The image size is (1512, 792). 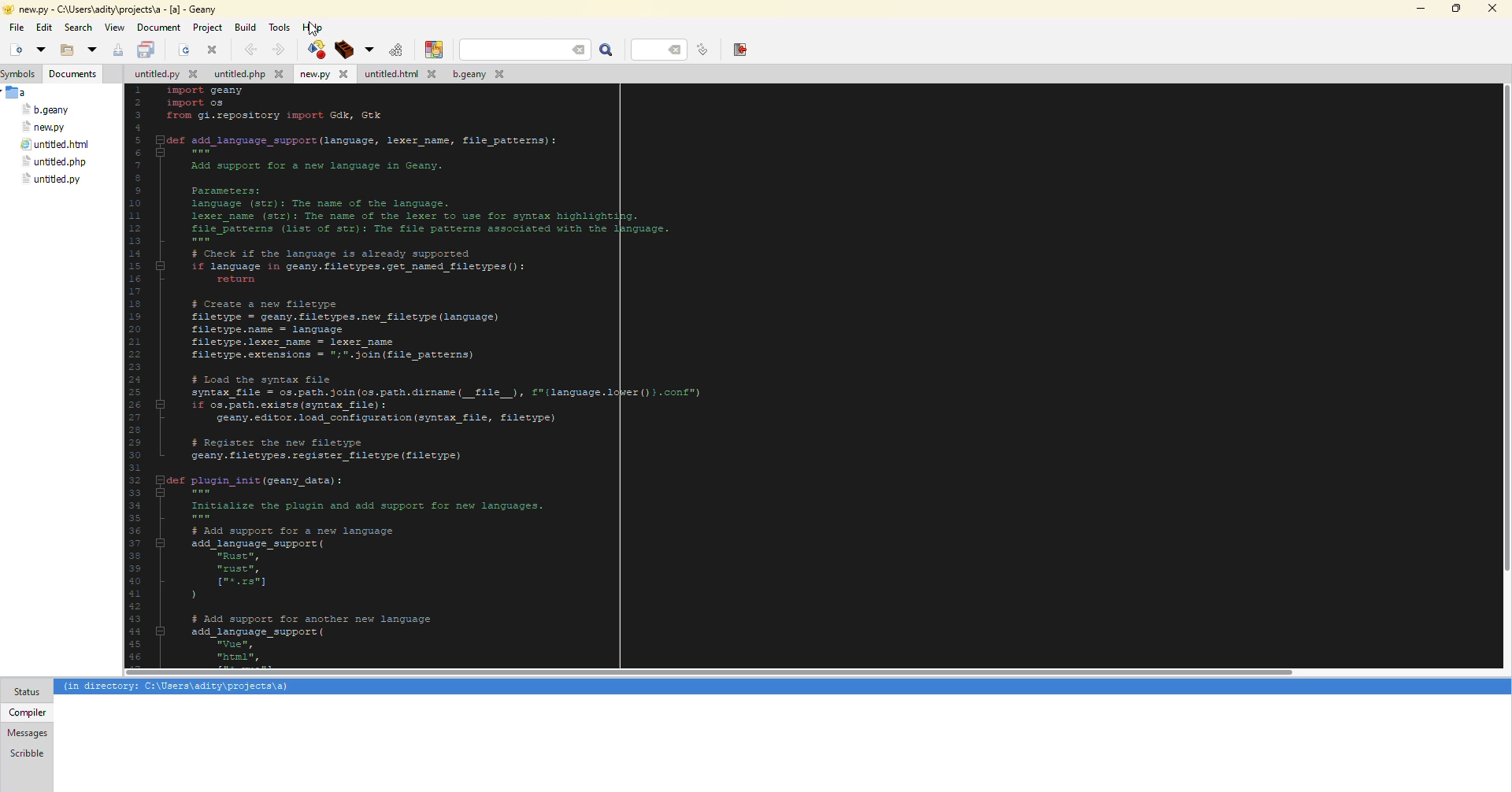 What do you see at coordinates (46, 110) in the screenshot?
I see `file` at bounding box center [46, 110].